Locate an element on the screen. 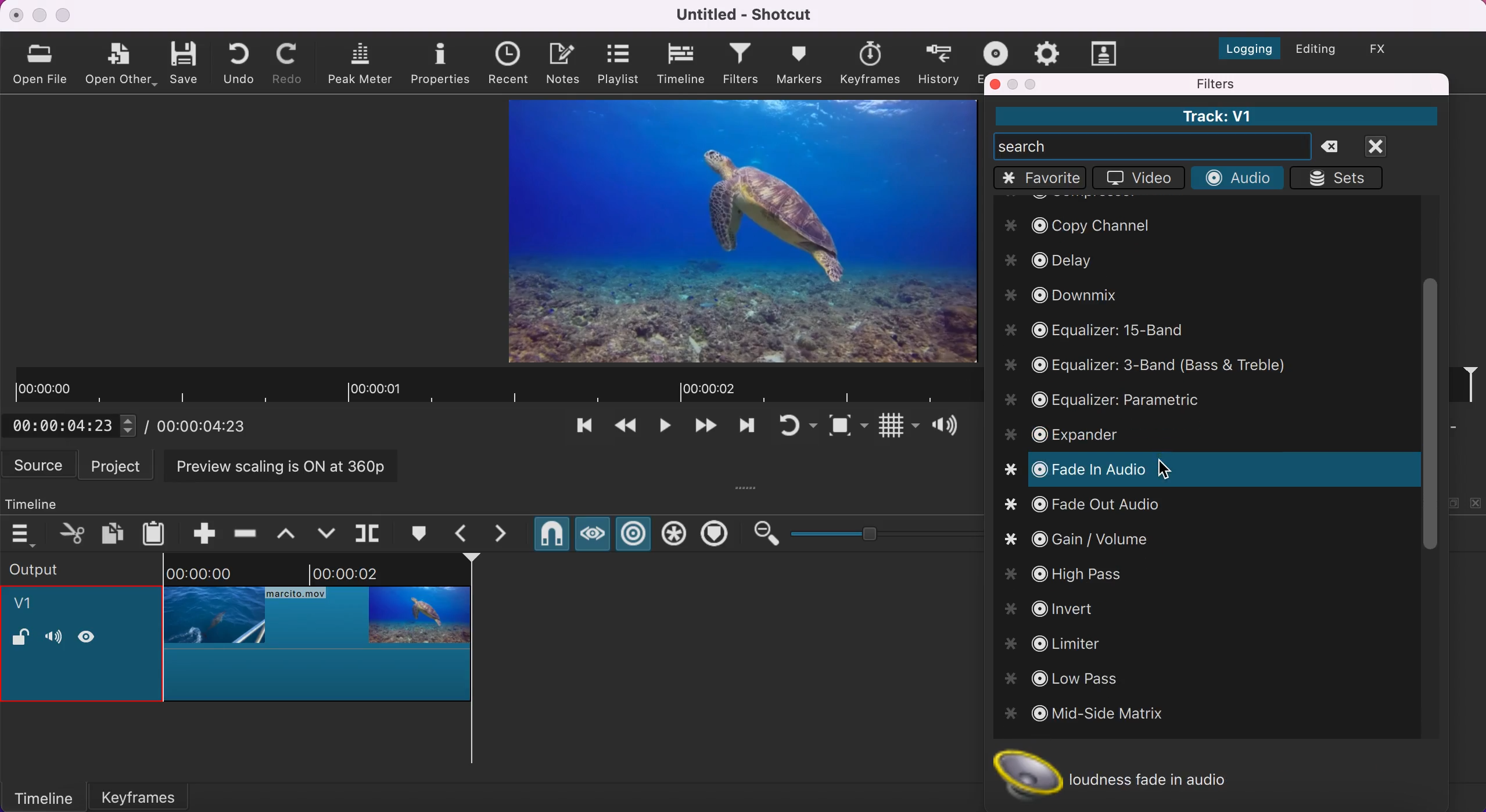 The height and width of the screenshot is (812, 1486). skip to the next point is located at coordinates (704, 429).